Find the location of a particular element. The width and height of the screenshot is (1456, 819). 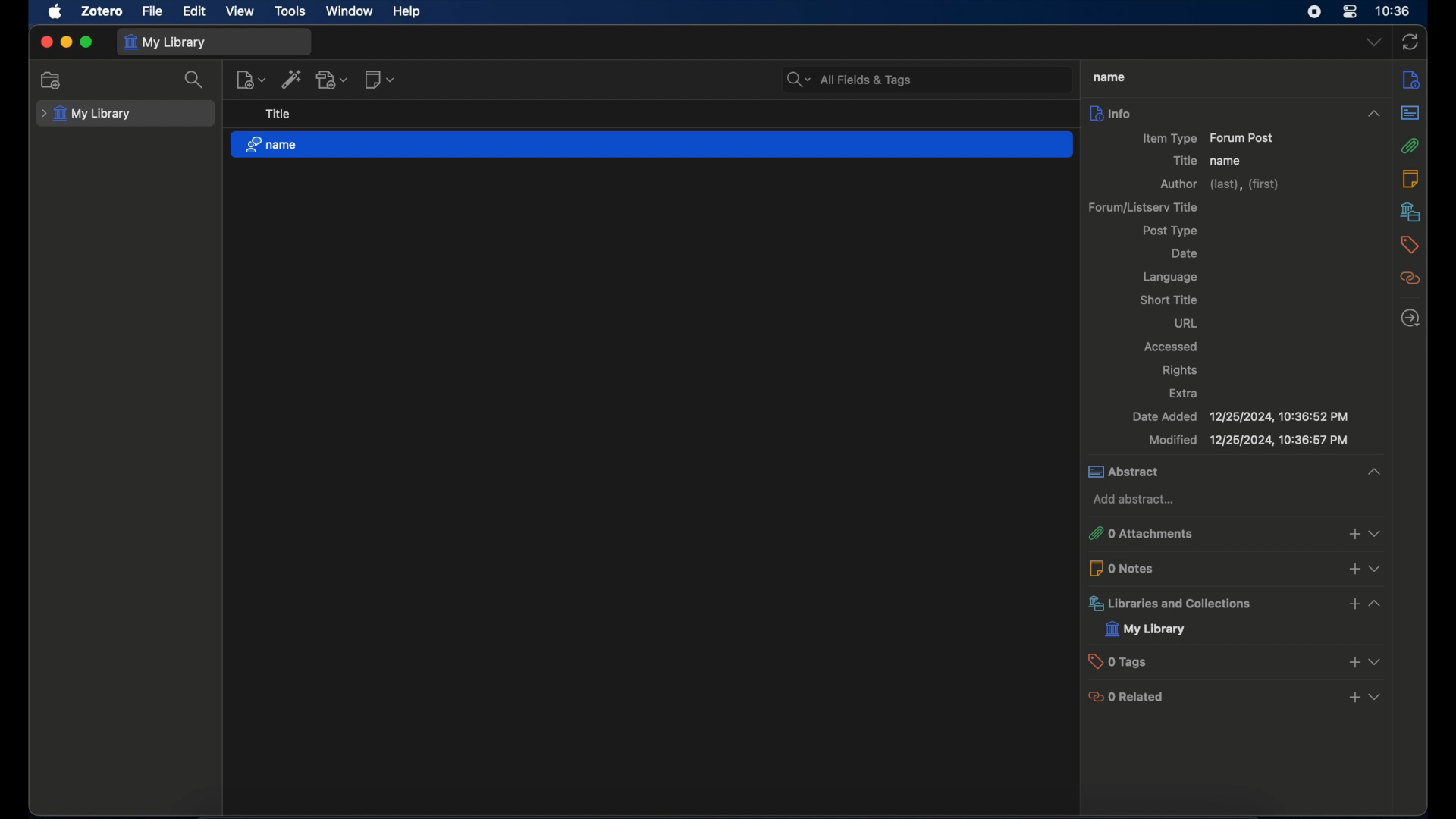

rights is located at coordinates (1180, 371).